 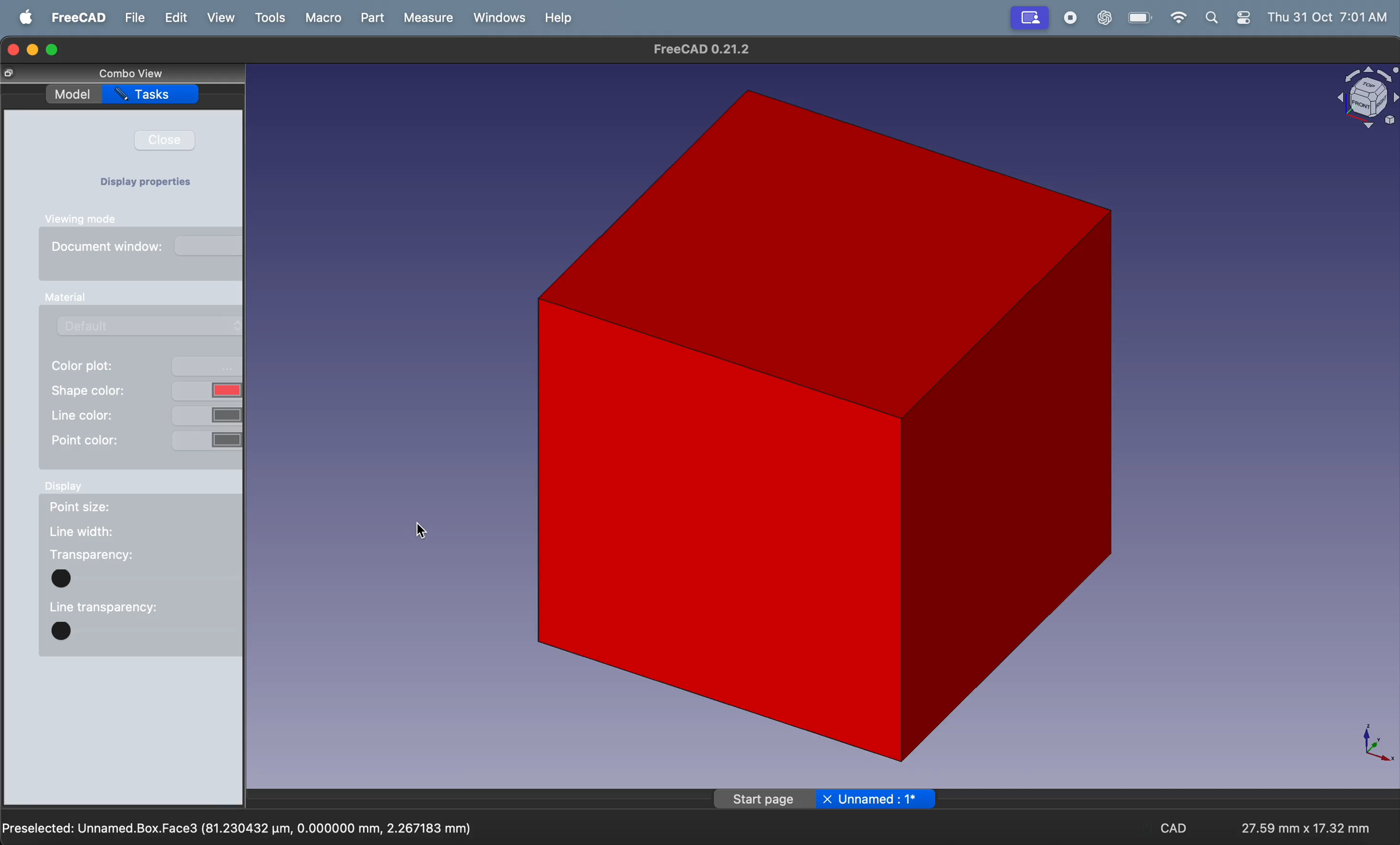 I want to click on display properties, so click(x=151, y=183).